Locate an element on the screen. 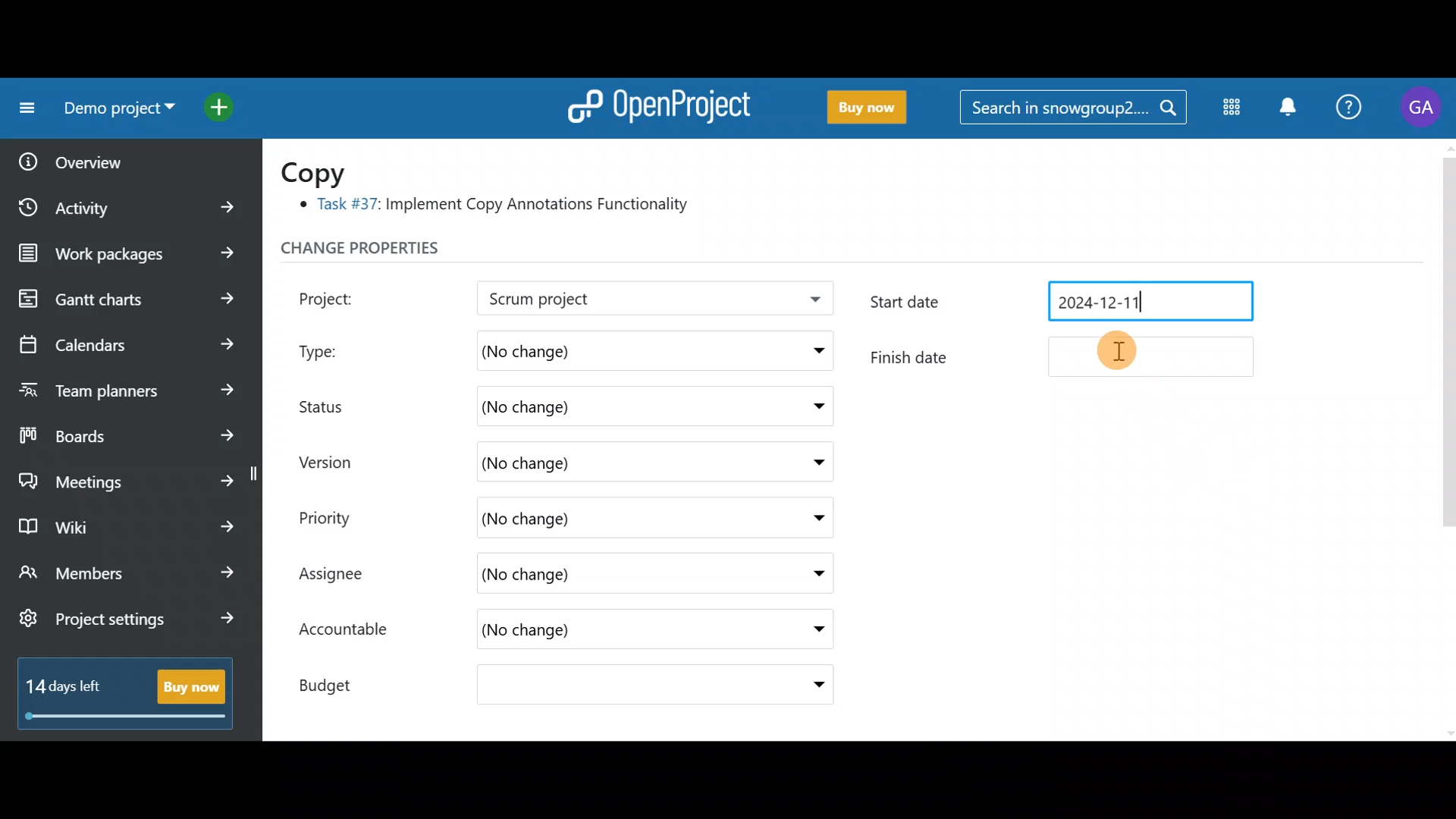 This screenshot has height=819, width=1456. Status drop down is located at coordinates (814, 406).